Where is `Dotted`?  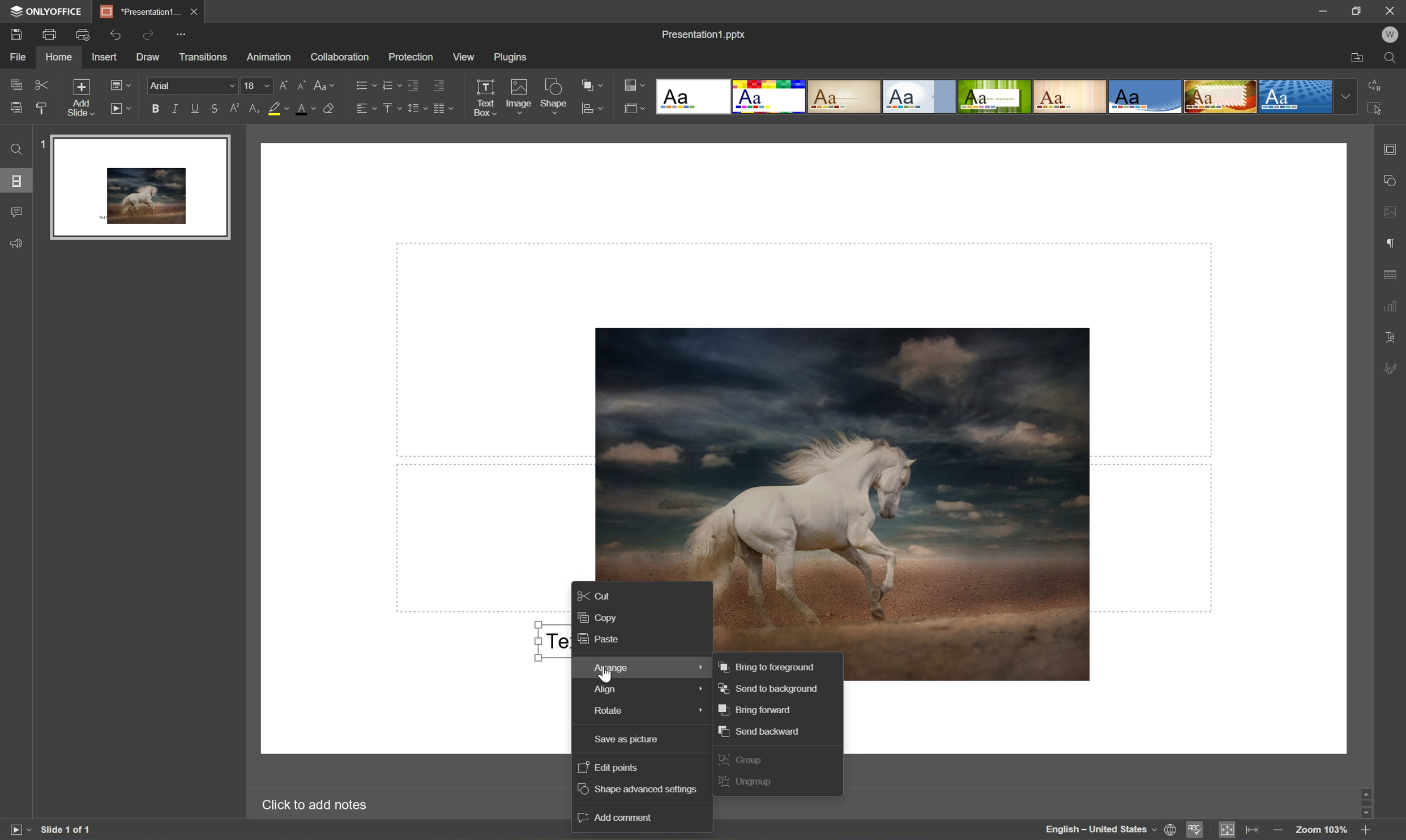 Dotted is located at coordinates (1295, 98).